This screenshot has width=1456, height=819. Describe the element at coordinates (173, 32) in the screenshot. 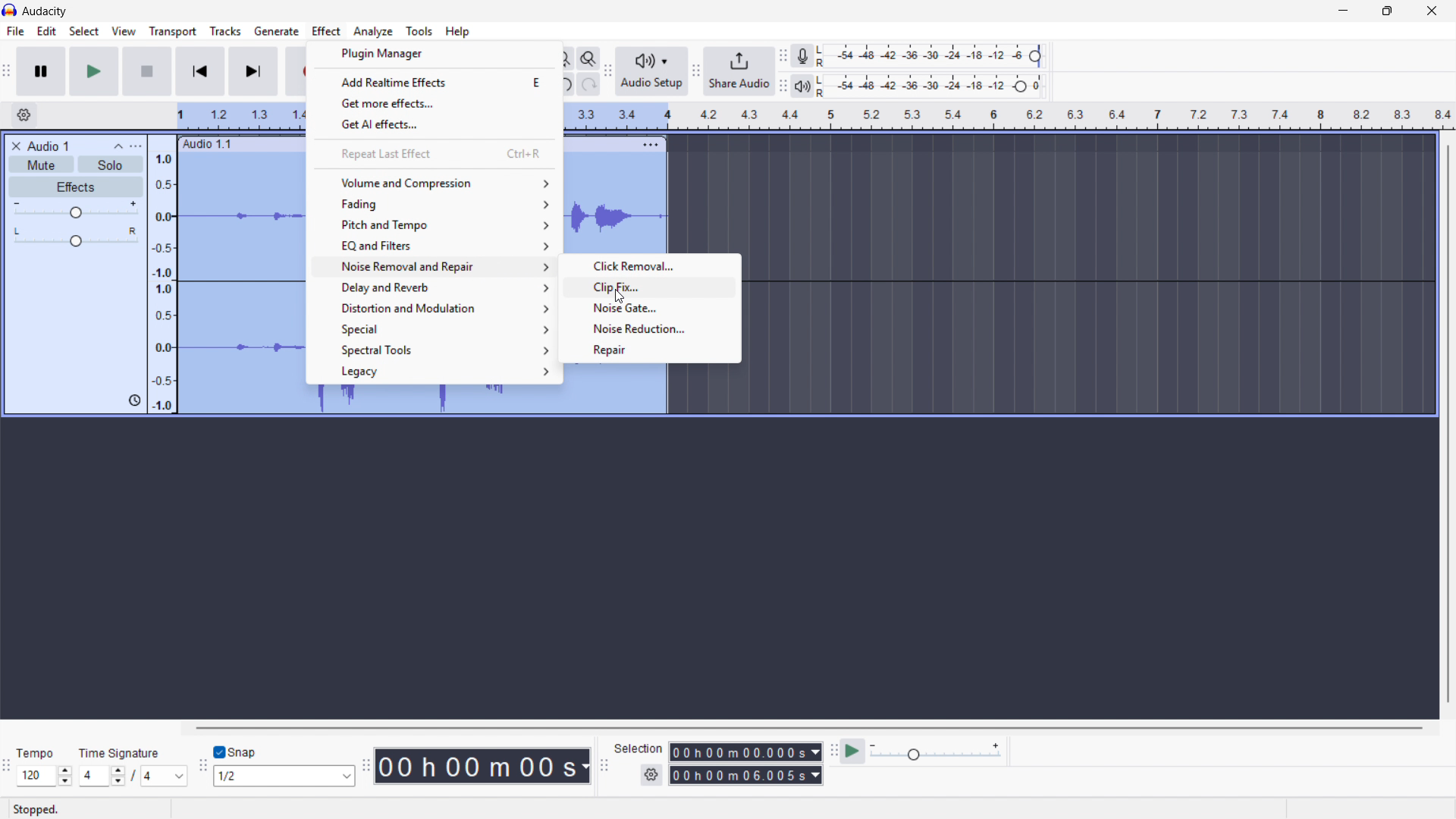

I see `Transport` at that location.